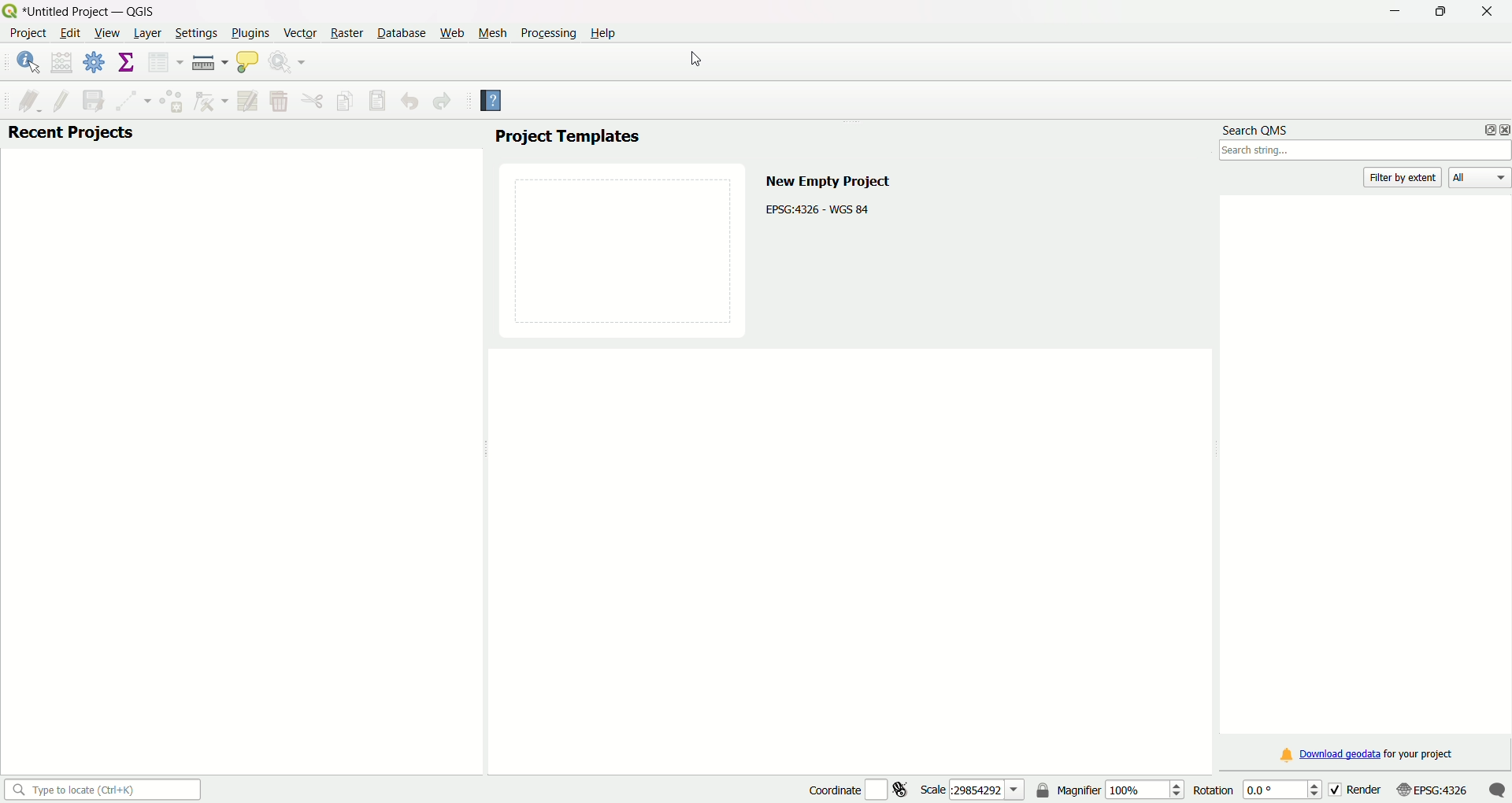 The height and width of the screenshot is (803, 1512). Describe the element at coordinates (624, 248) in the screenshot. I see `slide` at that location.